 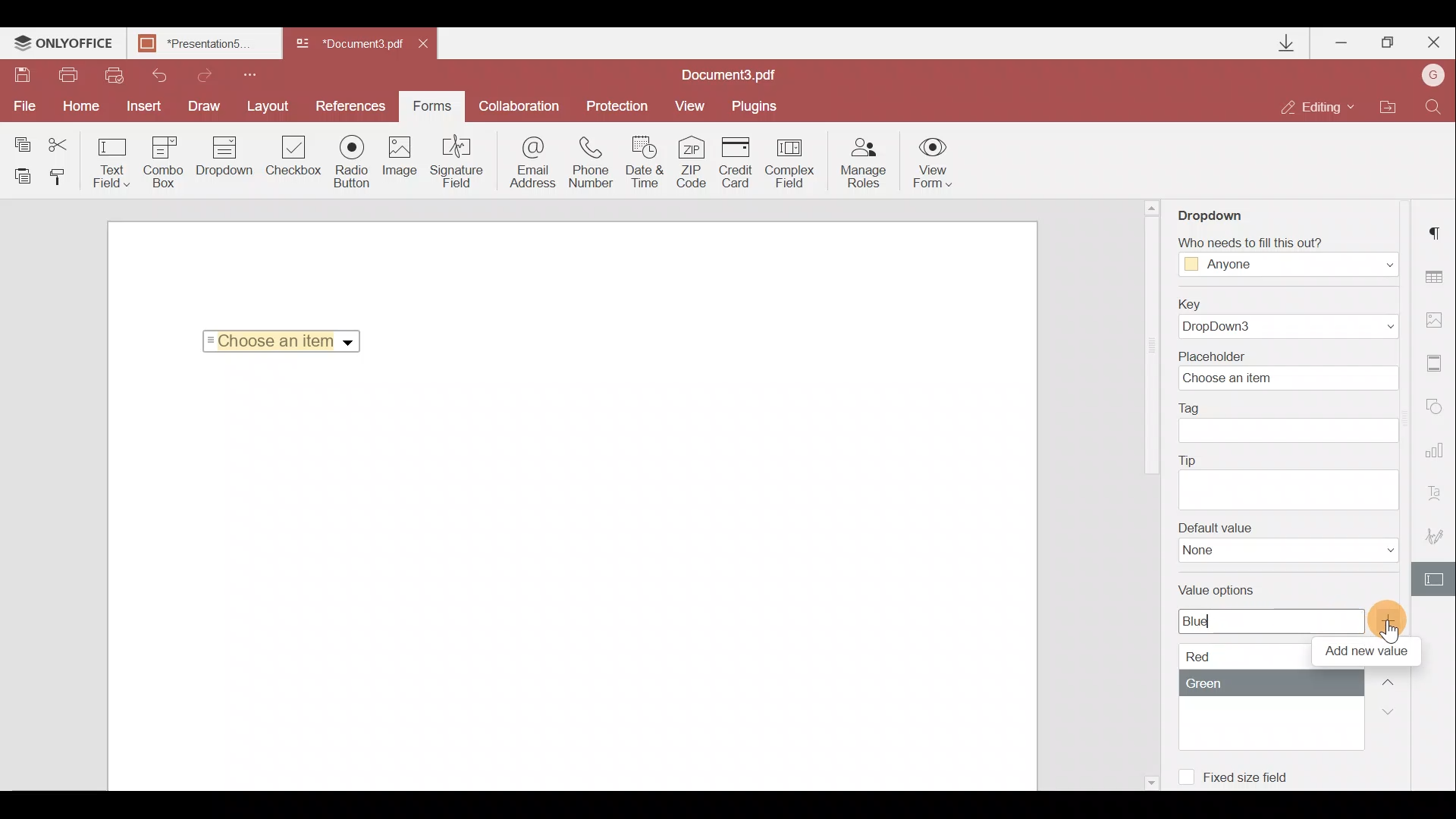 I want to click on Fill Access, so click(x=1285, y=257).